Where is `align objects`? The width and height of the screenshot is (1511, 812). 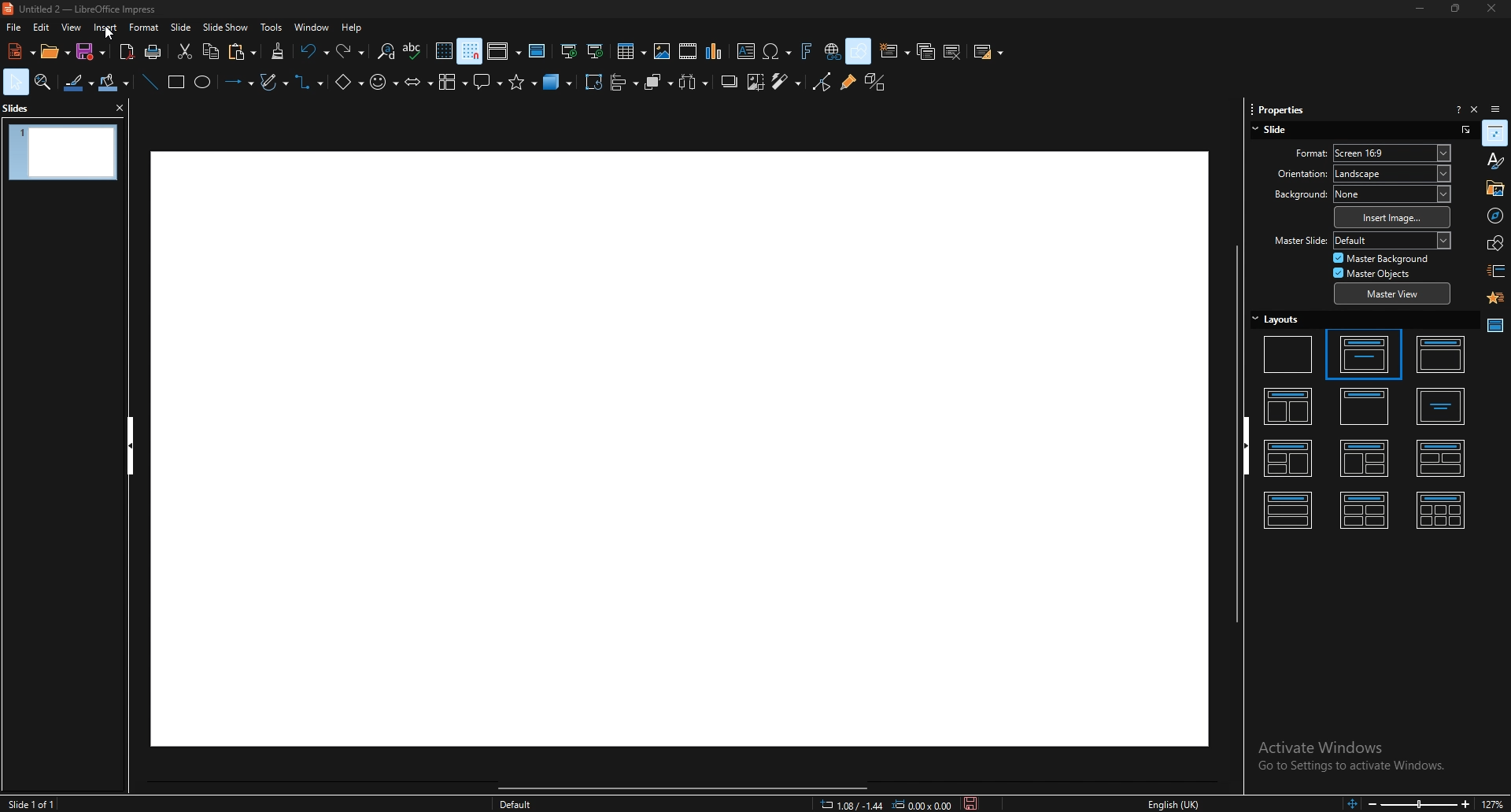 align objects is located at coordinates (624, 82).